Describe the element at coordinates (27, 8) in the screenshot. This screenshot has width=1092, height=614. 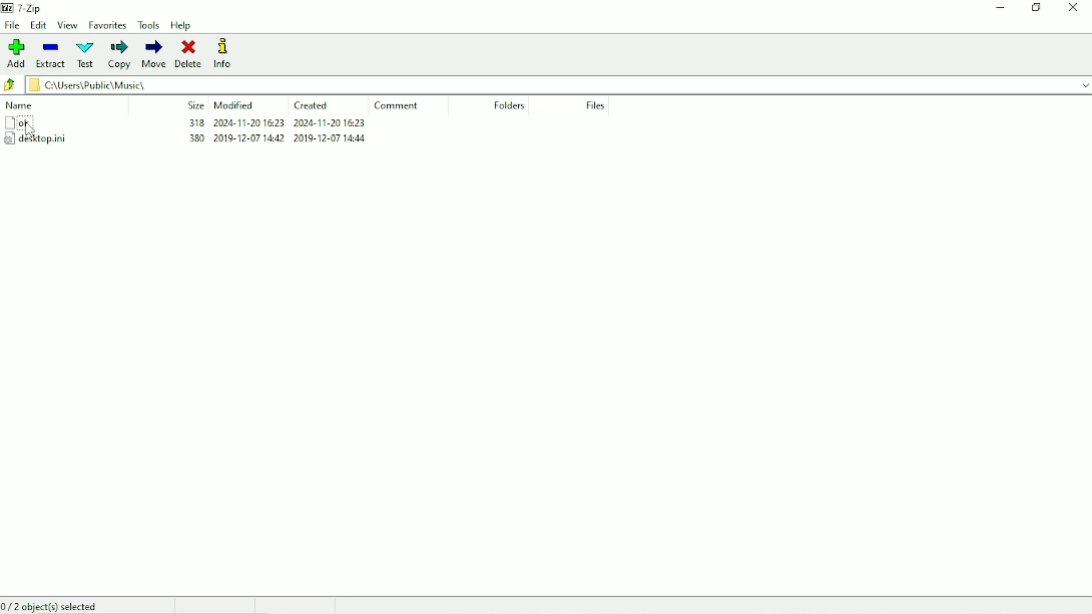
I see `7 - Zip` at that location.